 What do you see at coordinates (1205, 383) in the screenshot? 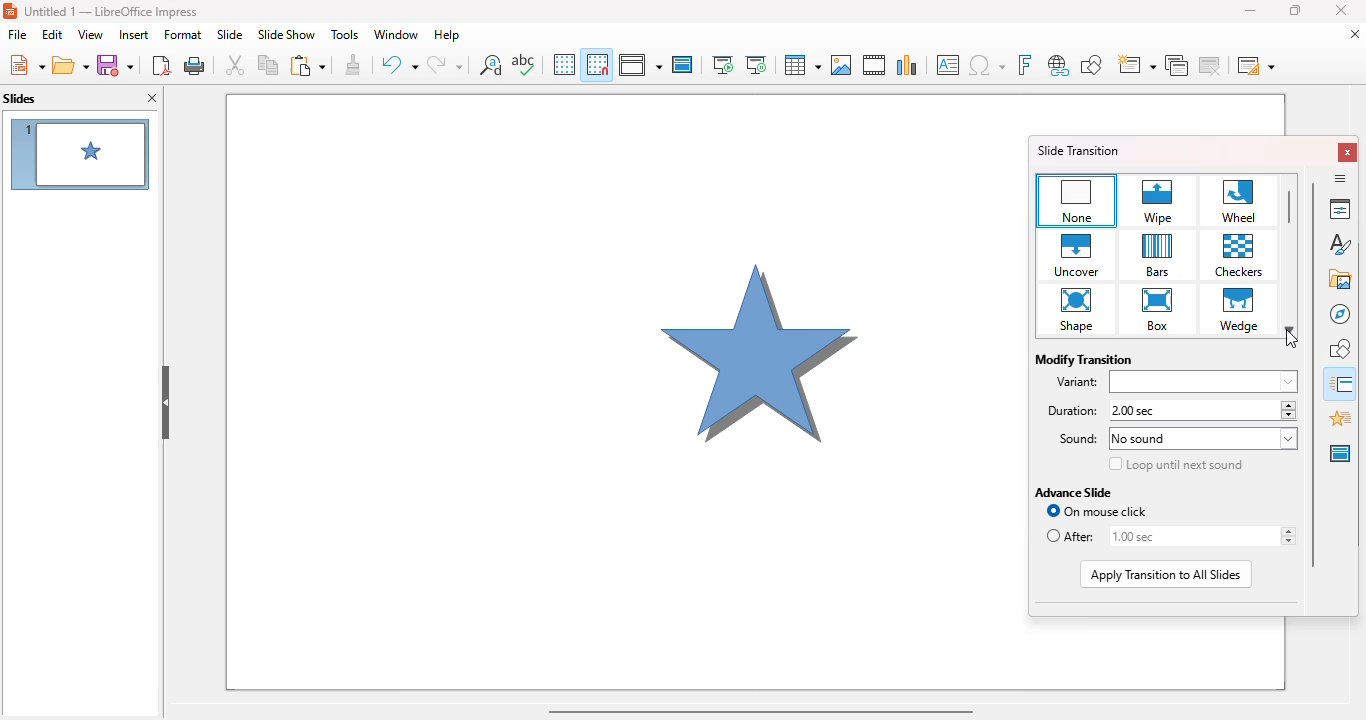
I see `variant` at bounding box center [1205, 383].